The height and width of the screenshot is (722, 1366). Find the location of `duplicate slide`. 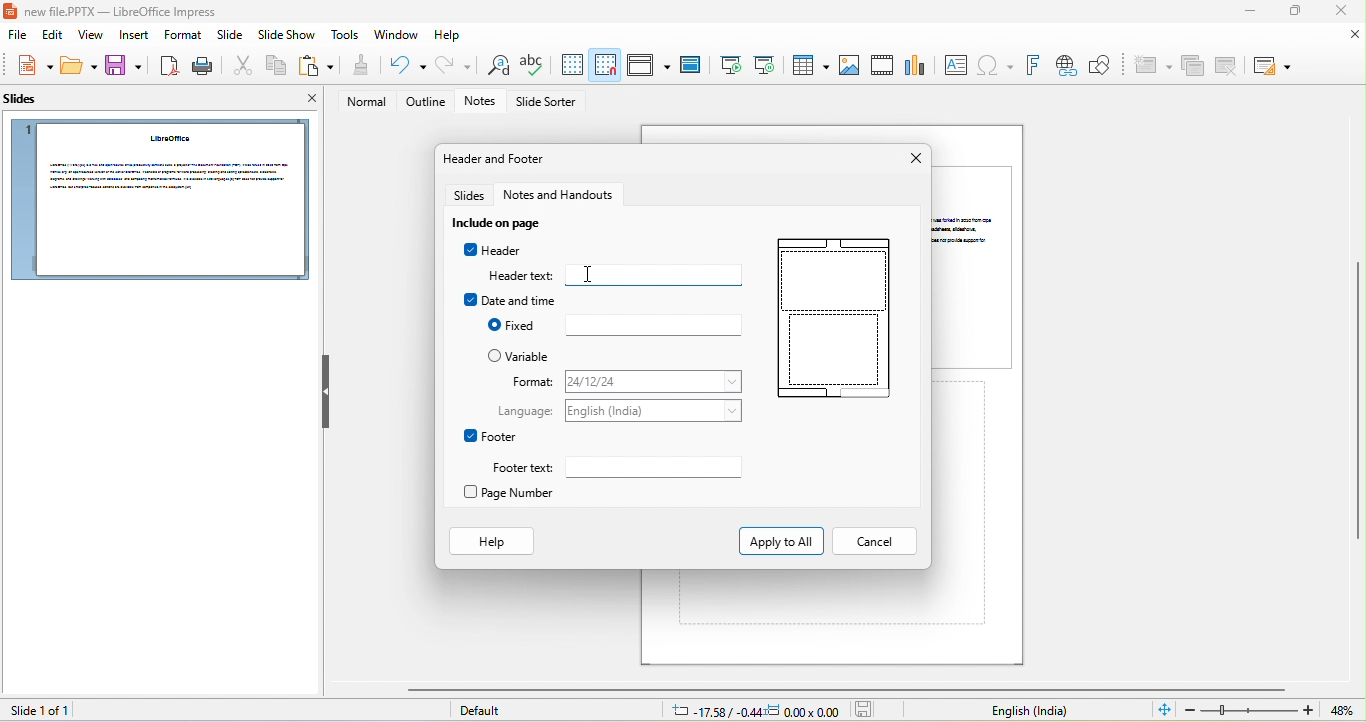

duplicate slide is located at coordinates (1193, 67).